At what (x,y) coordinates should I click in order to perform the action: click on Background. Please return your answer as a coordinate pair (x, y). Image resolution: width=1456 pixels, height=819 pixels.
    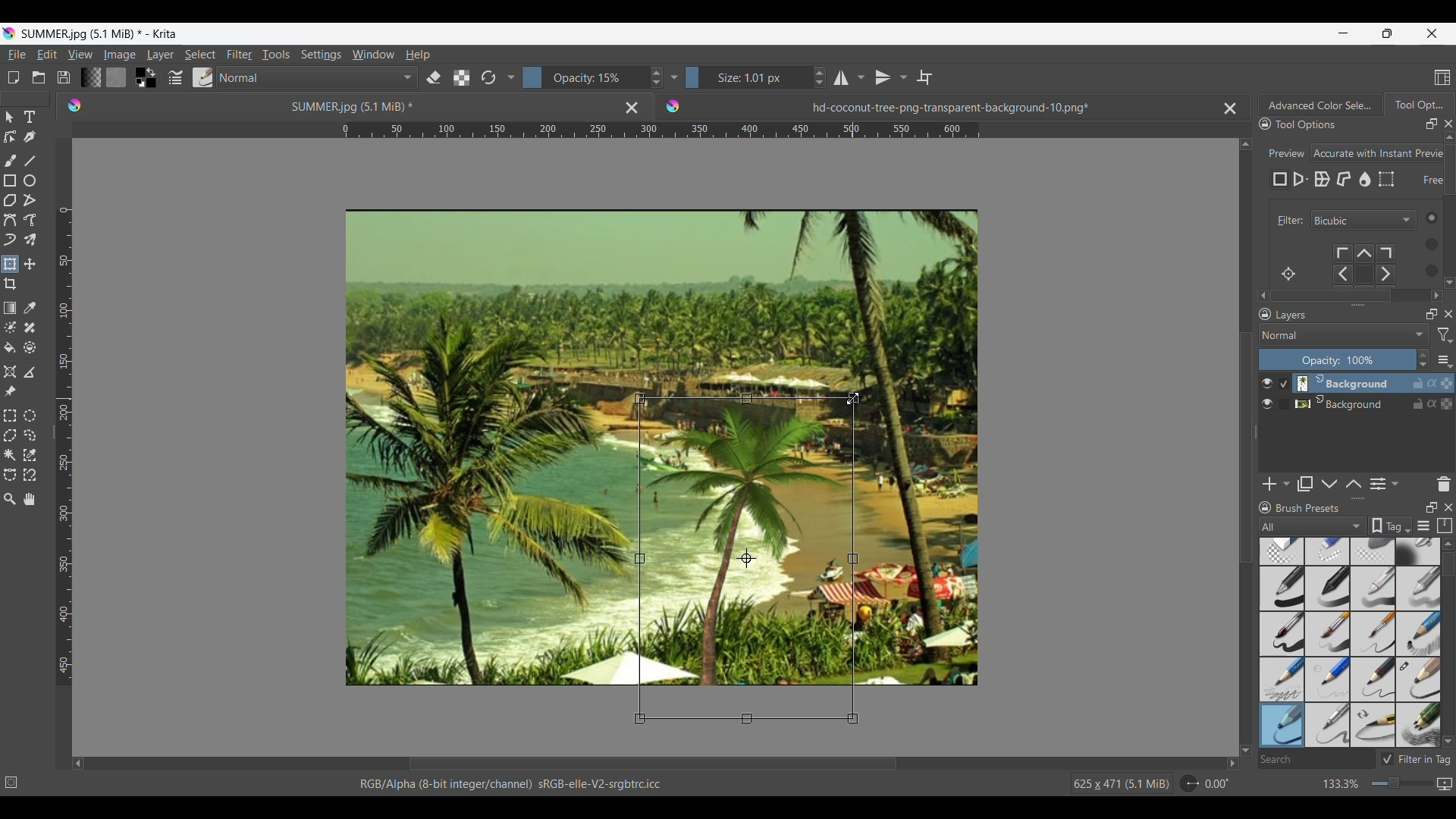
    Looking at the image, I should click on (1345, 402).